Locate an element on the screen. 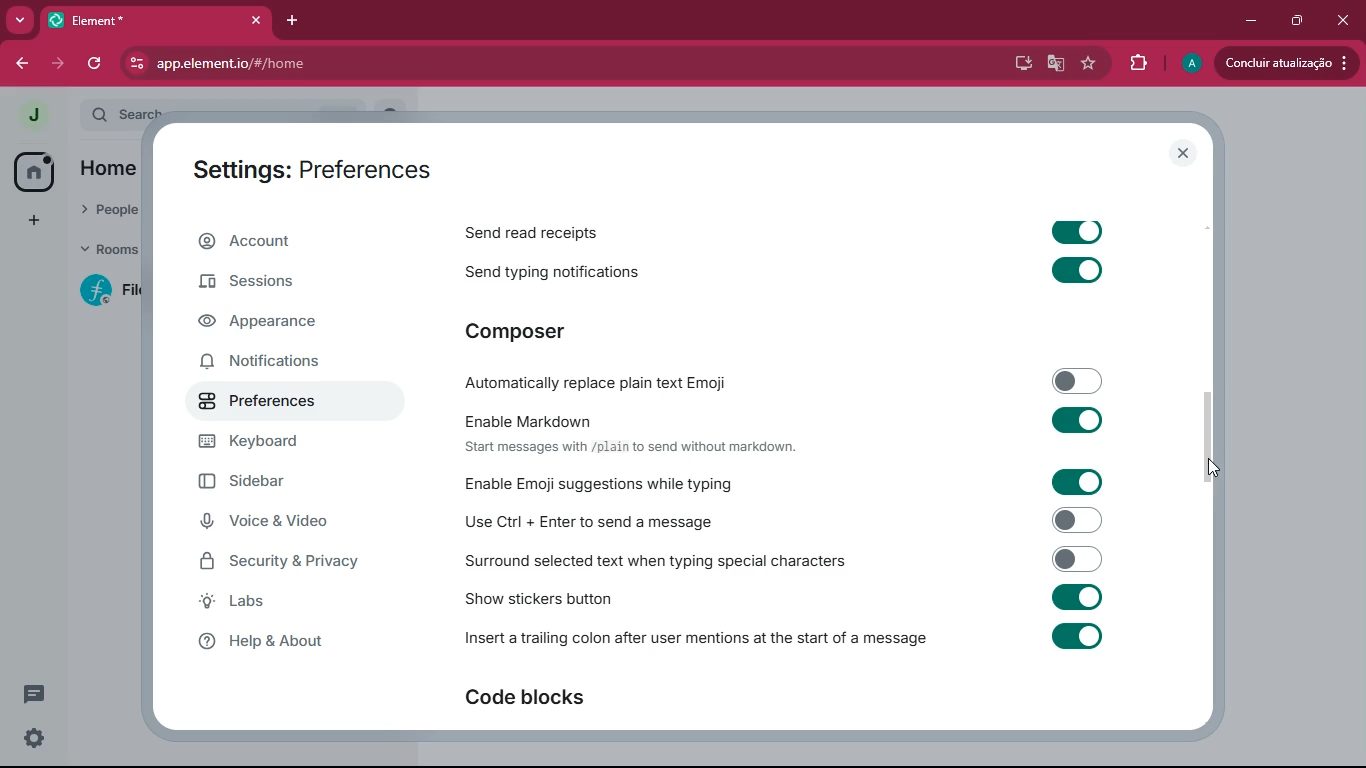 The height and width of the screenshot is (768, 1366). minimize is located at coordinates (1246, 21).